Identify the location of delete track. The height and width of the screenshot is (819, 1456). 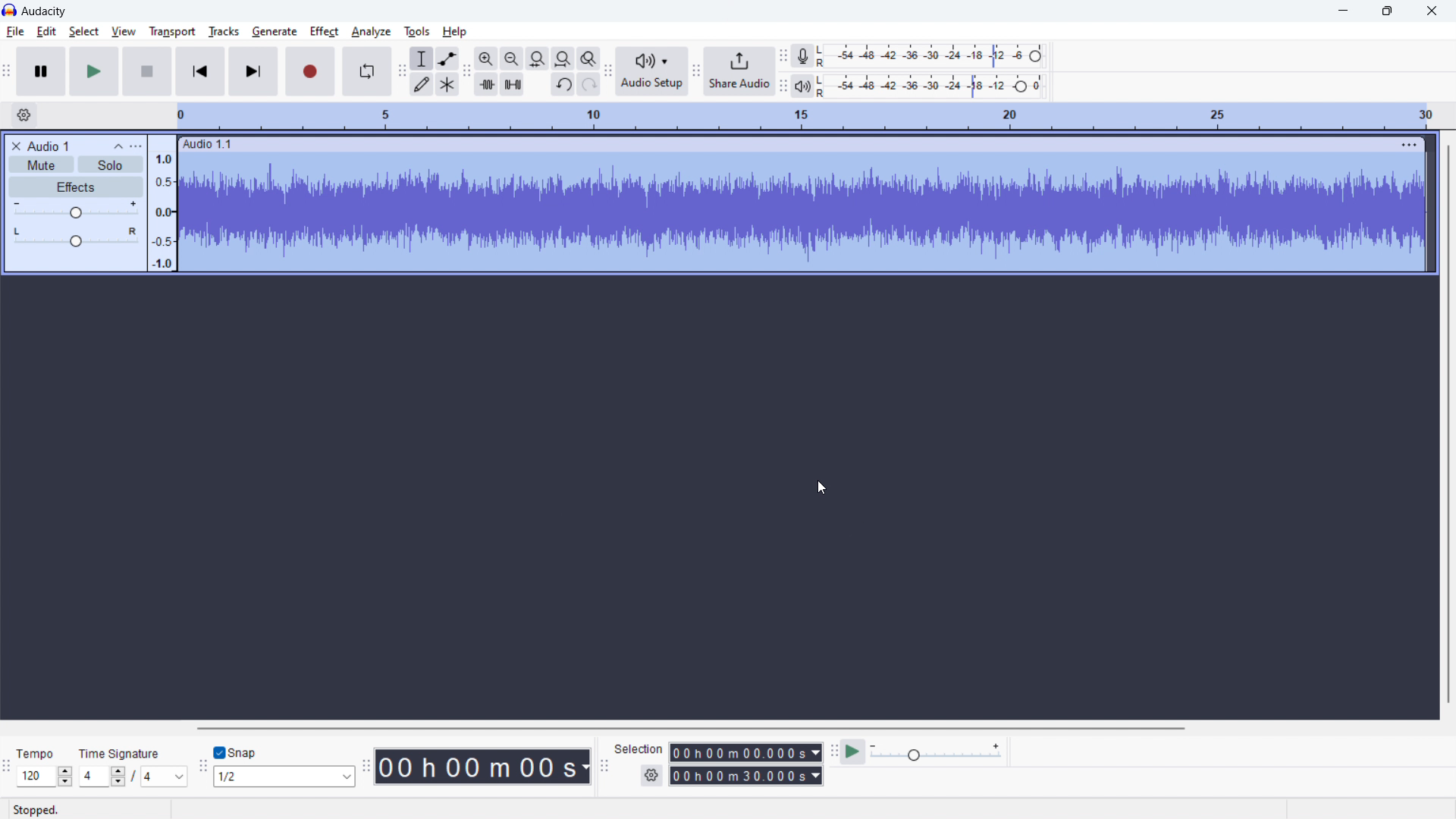
(16, 145).